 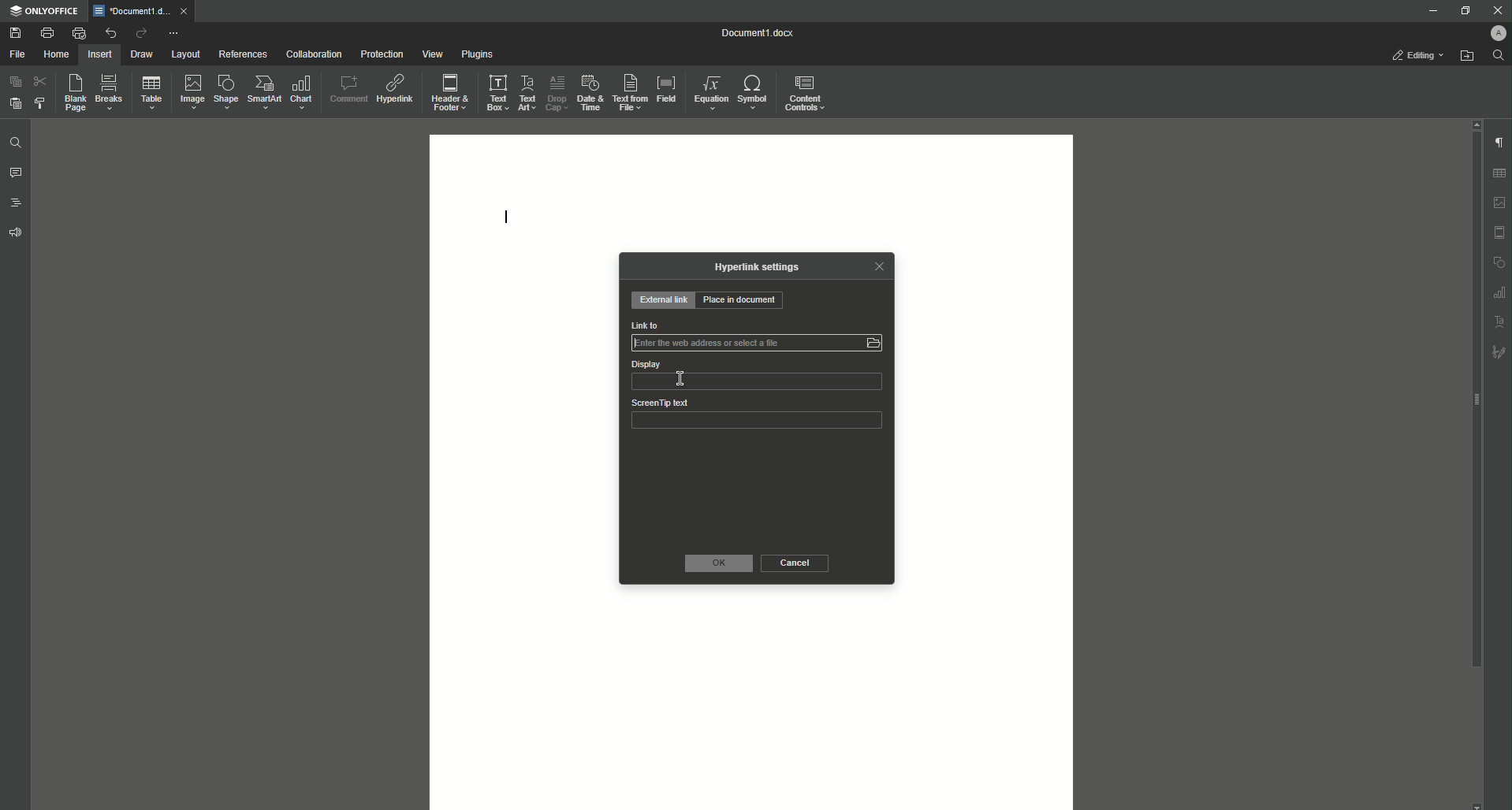 I want to click on Table settings, so click(x=1499, y=173).